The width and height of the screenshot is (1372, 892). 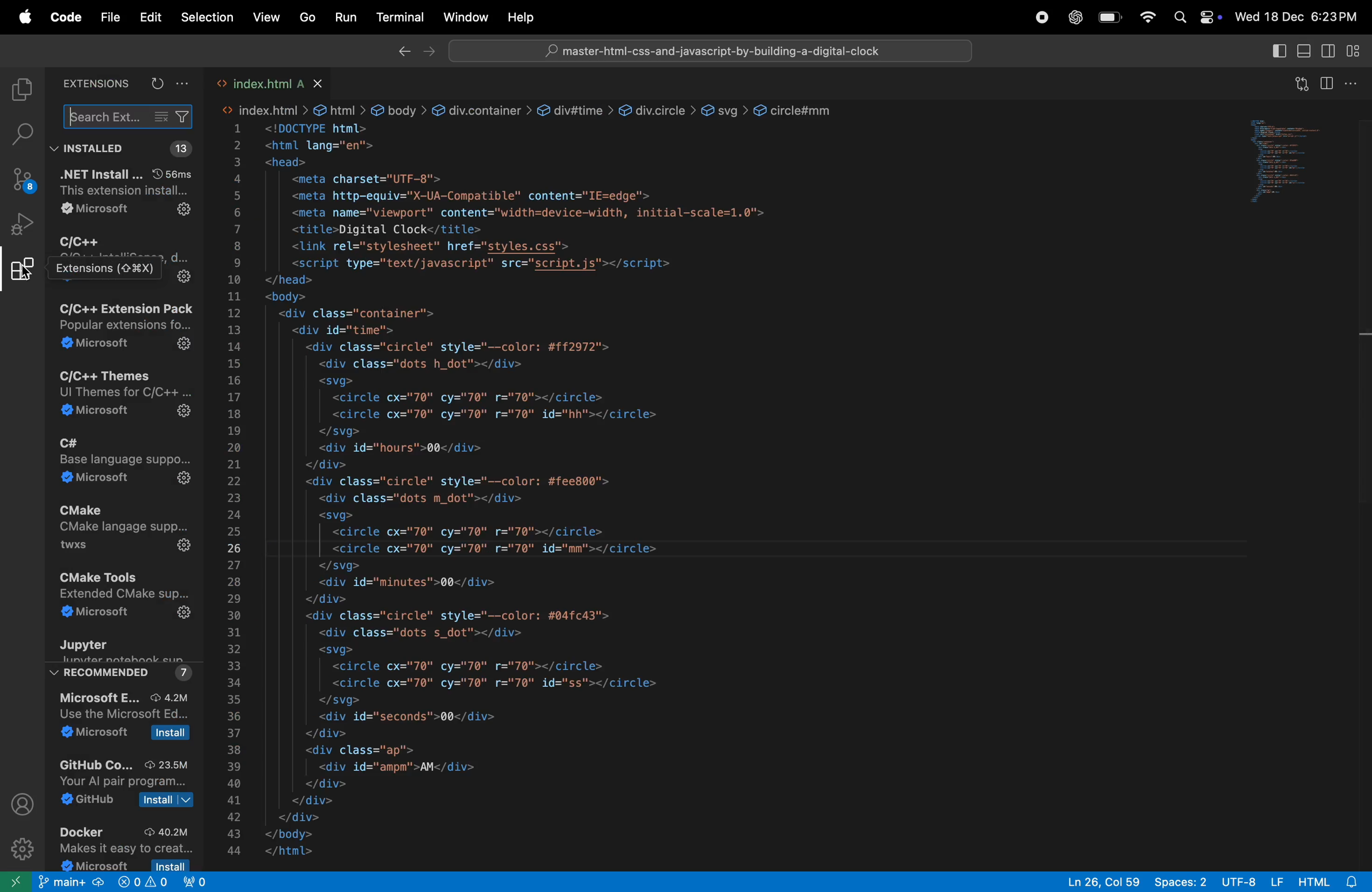 I want to click on code window, so click(x=1300, y=158).